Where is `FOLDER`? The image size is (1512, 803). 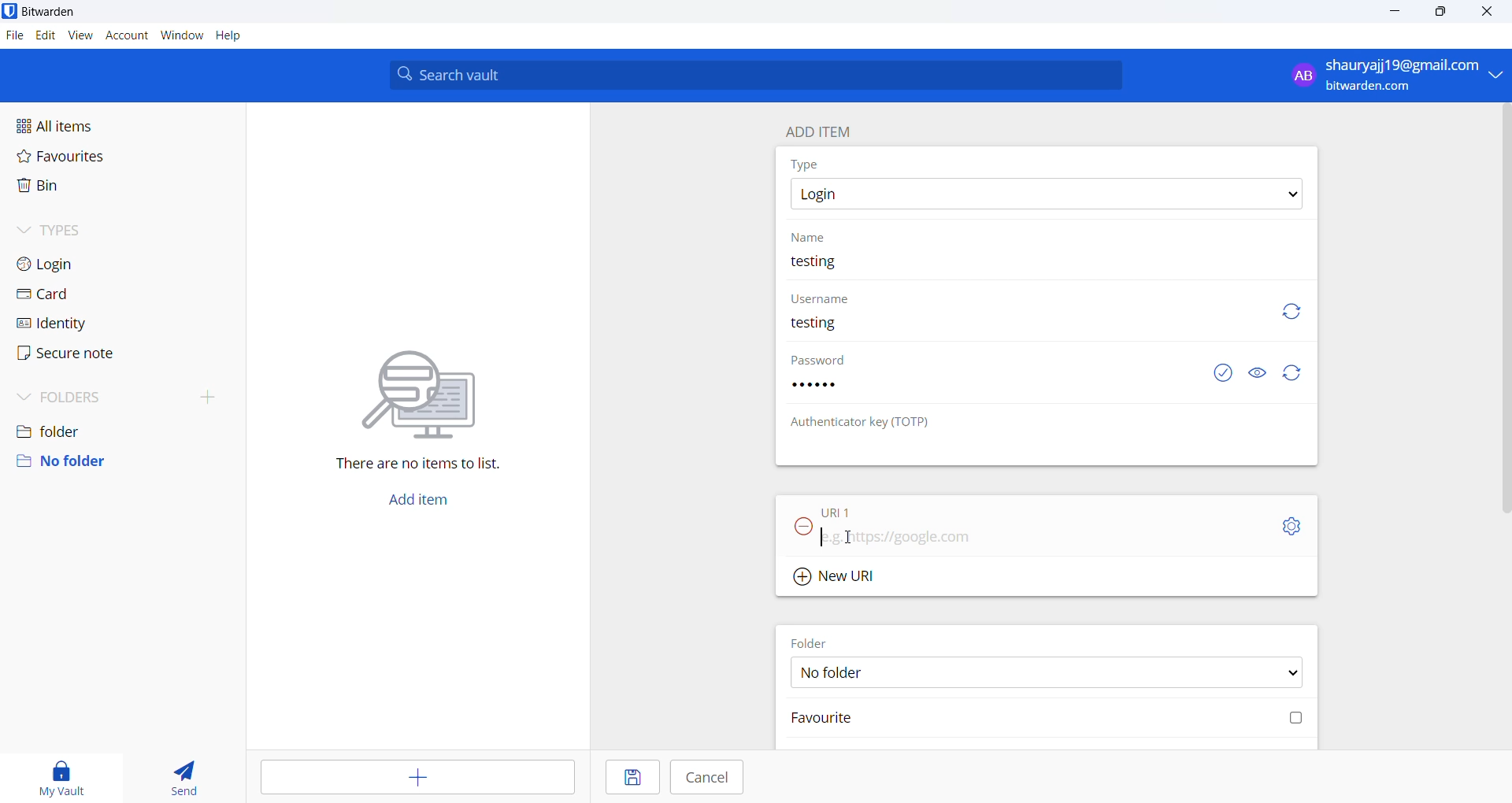
FOLDER is located at coordinates (813, 642).